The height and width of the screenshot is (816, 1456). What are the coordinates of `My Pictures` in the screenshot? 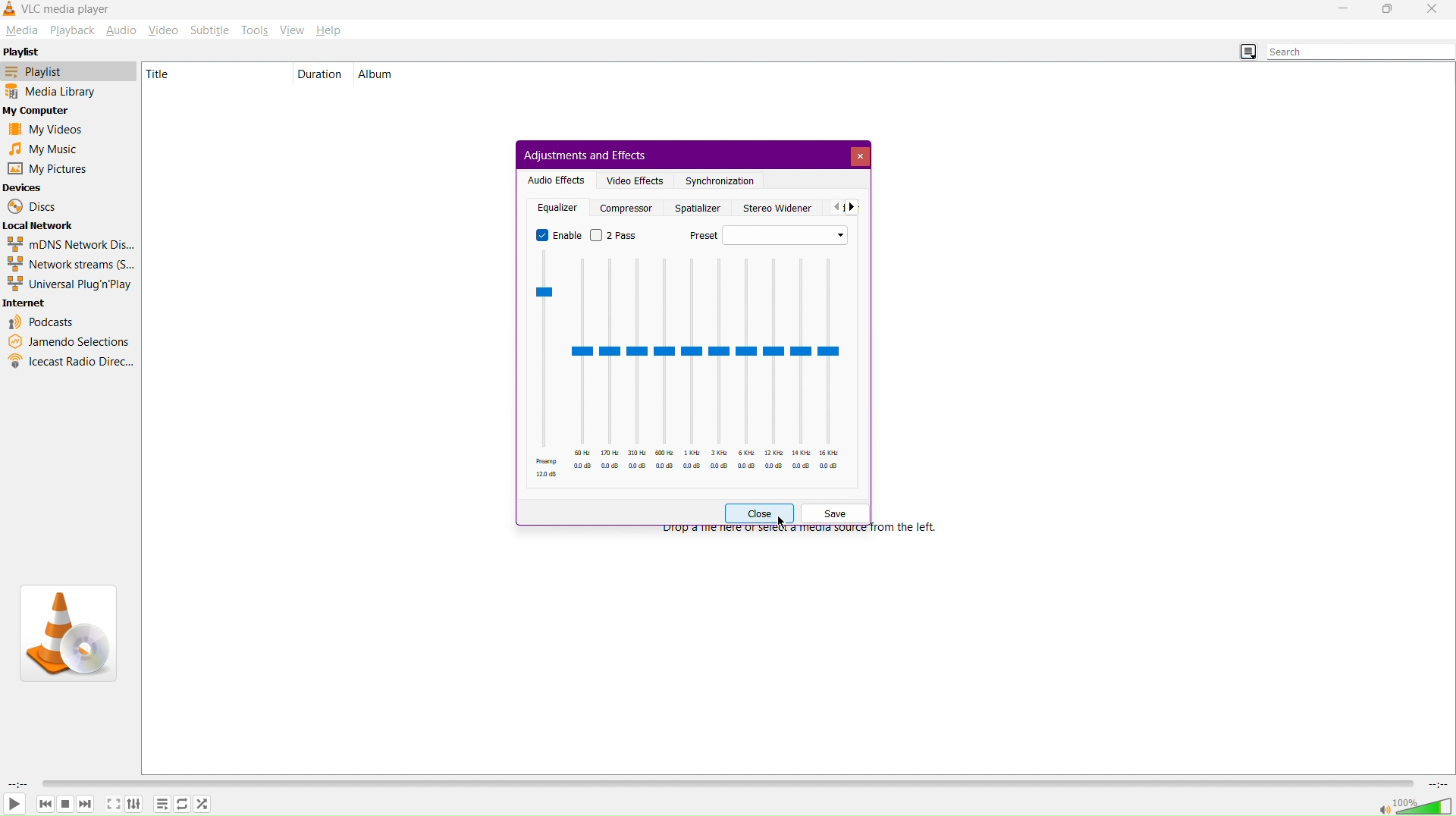 It's located at (52, 170).